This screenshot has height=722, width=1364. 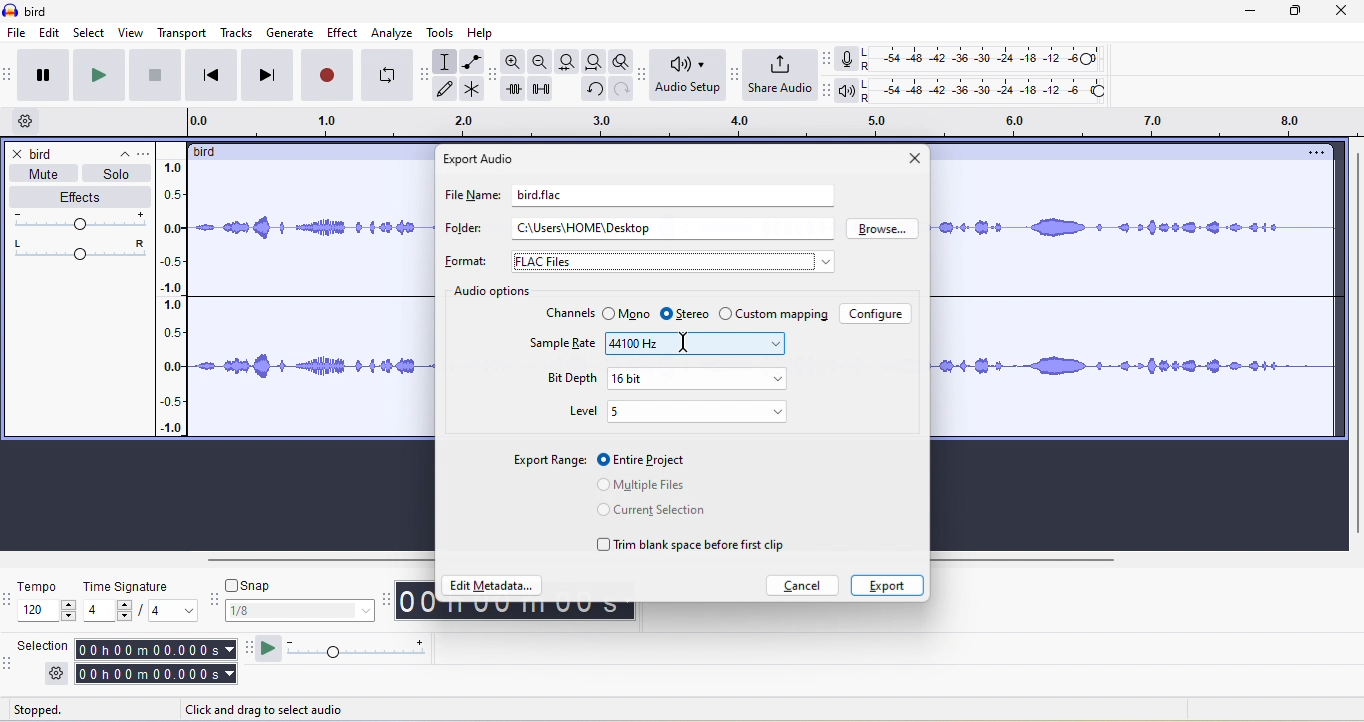 I want to click on audacity audio setup toolbar, so click(x=640, y=75).